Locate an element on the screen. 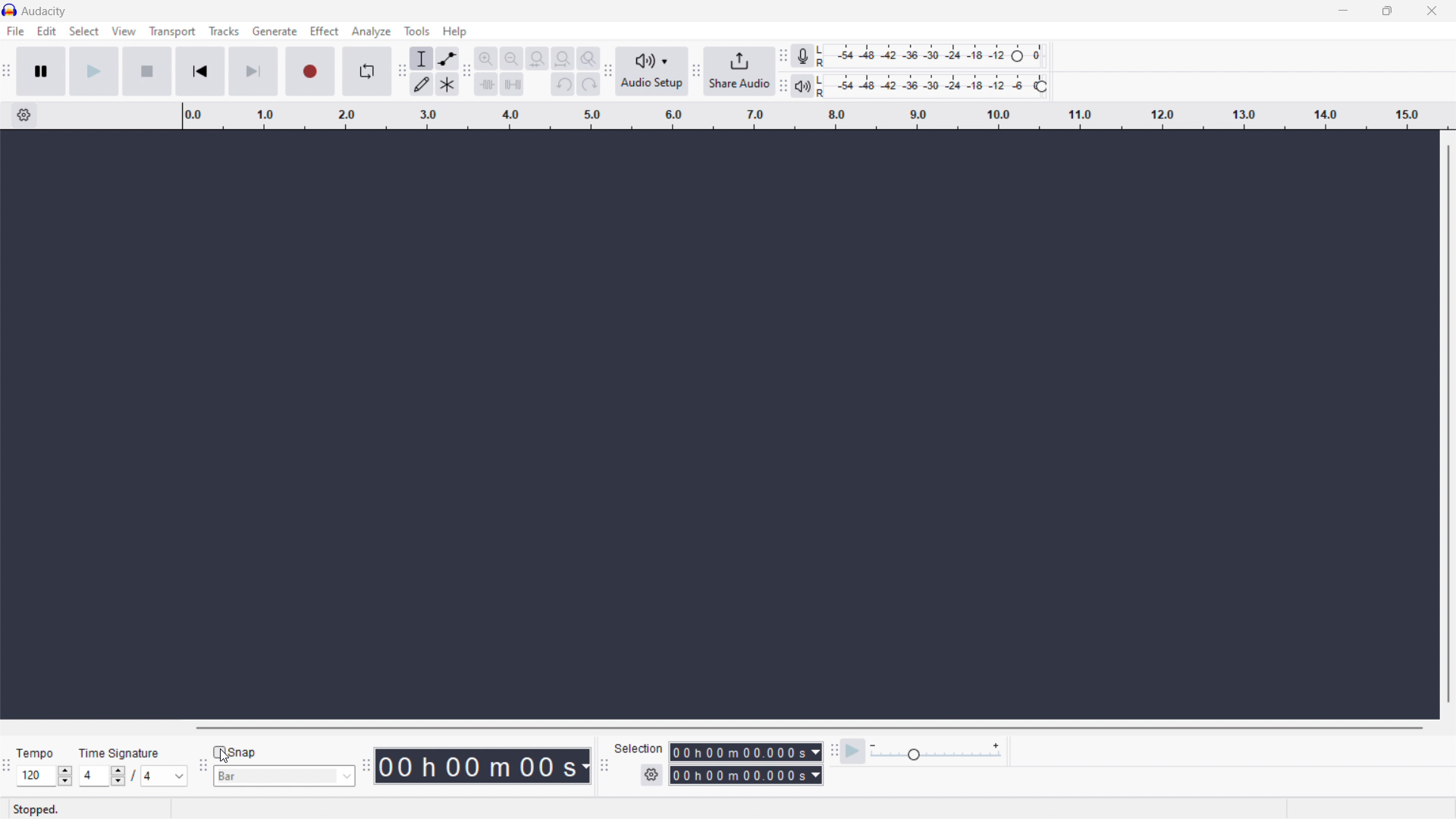 Image resolution: width=1456 pixels, height=819 pixels. view is located at coordinates (124, 31).